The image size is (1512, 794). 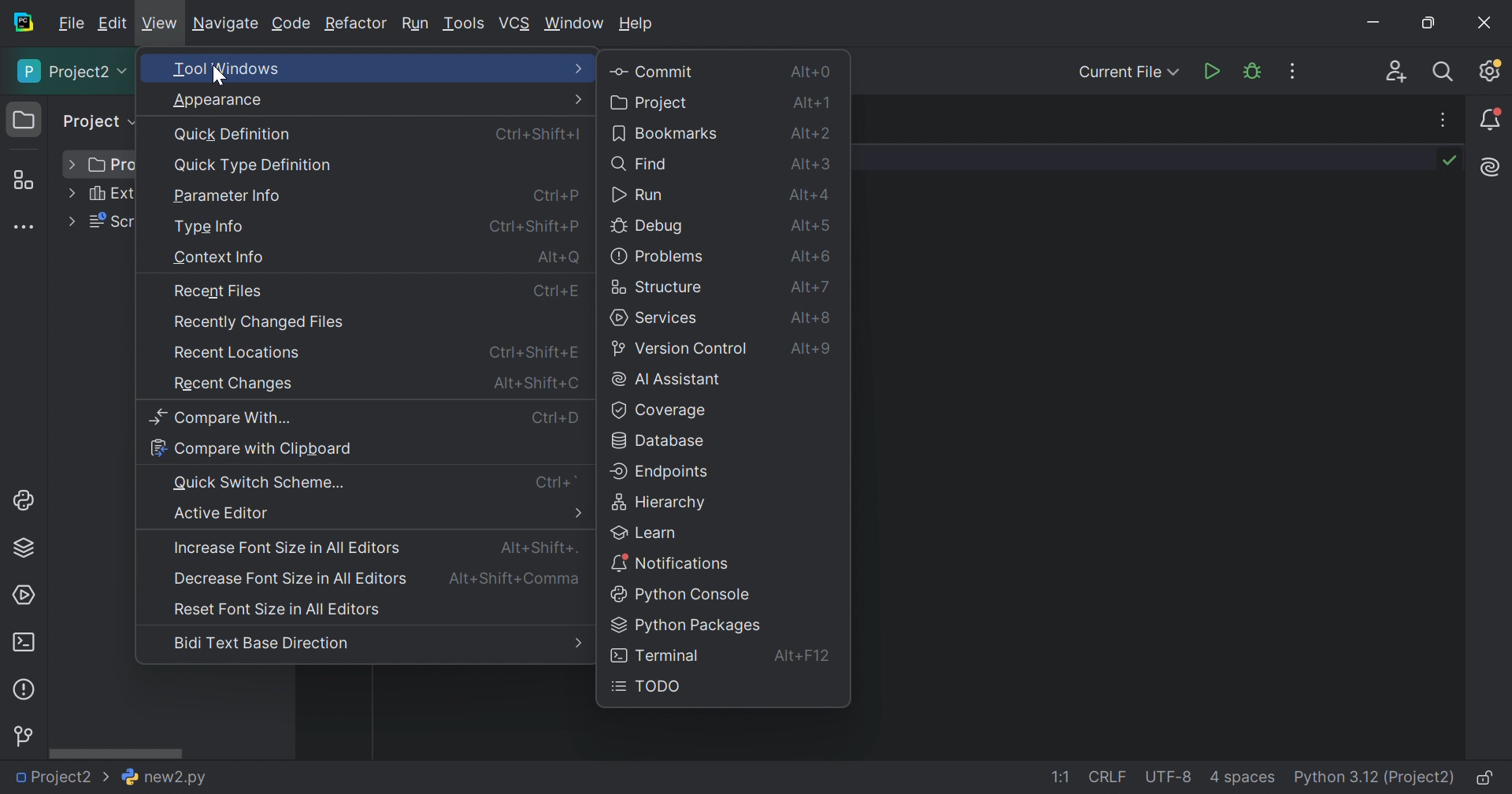 What do you see at coordinates (222, 418) in the screenshot?
I see `Compare with...` at bounding box center [222, 418].